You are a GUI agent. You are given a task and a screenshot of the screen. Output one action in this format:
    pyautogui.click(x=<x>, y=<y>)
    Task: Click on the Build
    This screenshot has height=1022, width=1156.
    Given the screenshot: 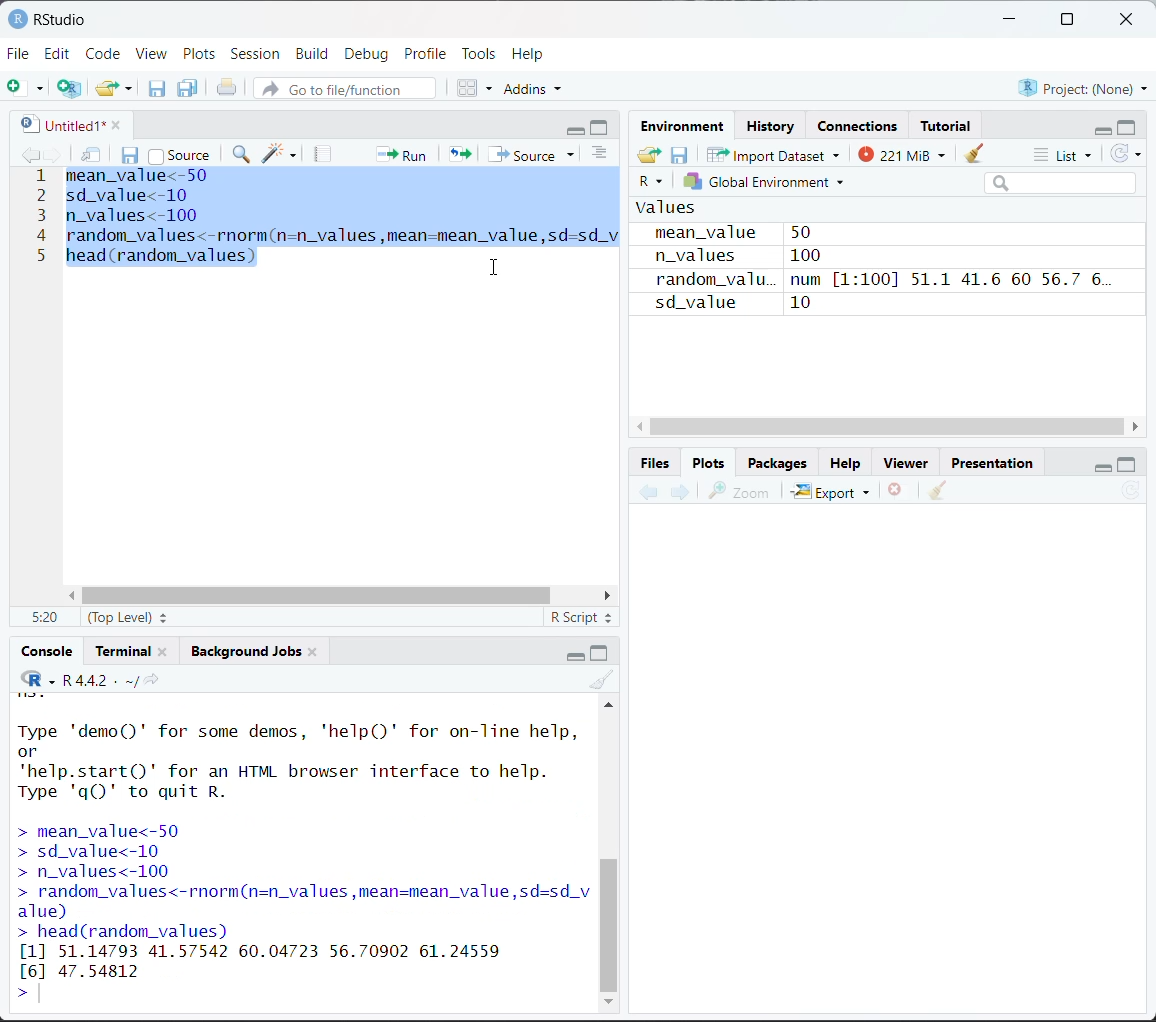 What is the action you would take?
    pyautogui.click(x=315, y=54)
    